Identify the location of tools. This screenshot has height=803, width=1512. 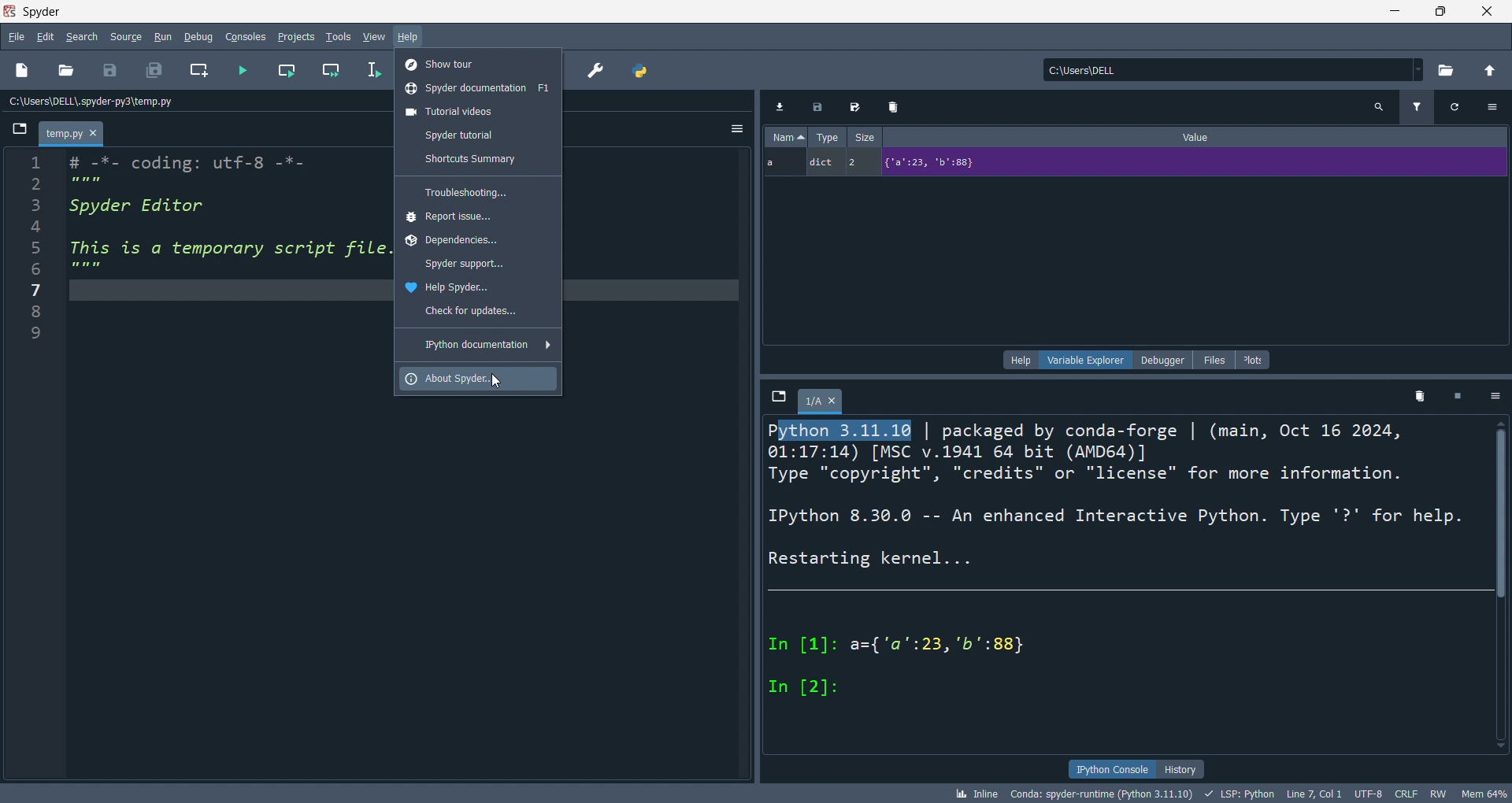
(339, 38).